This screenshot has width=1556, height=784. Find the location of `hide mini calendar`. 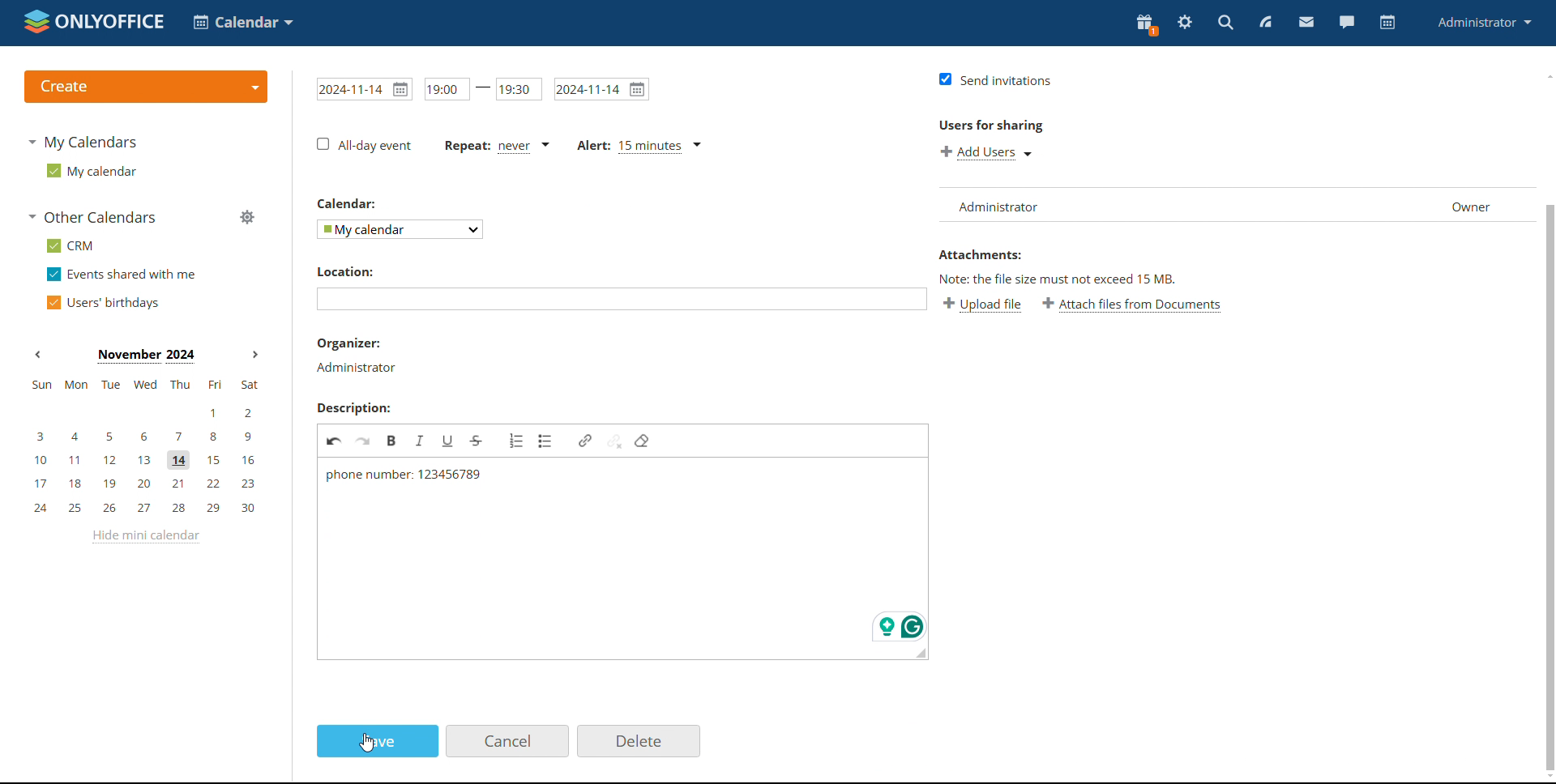

hide mini calendar is located at coordinates (146, 538).